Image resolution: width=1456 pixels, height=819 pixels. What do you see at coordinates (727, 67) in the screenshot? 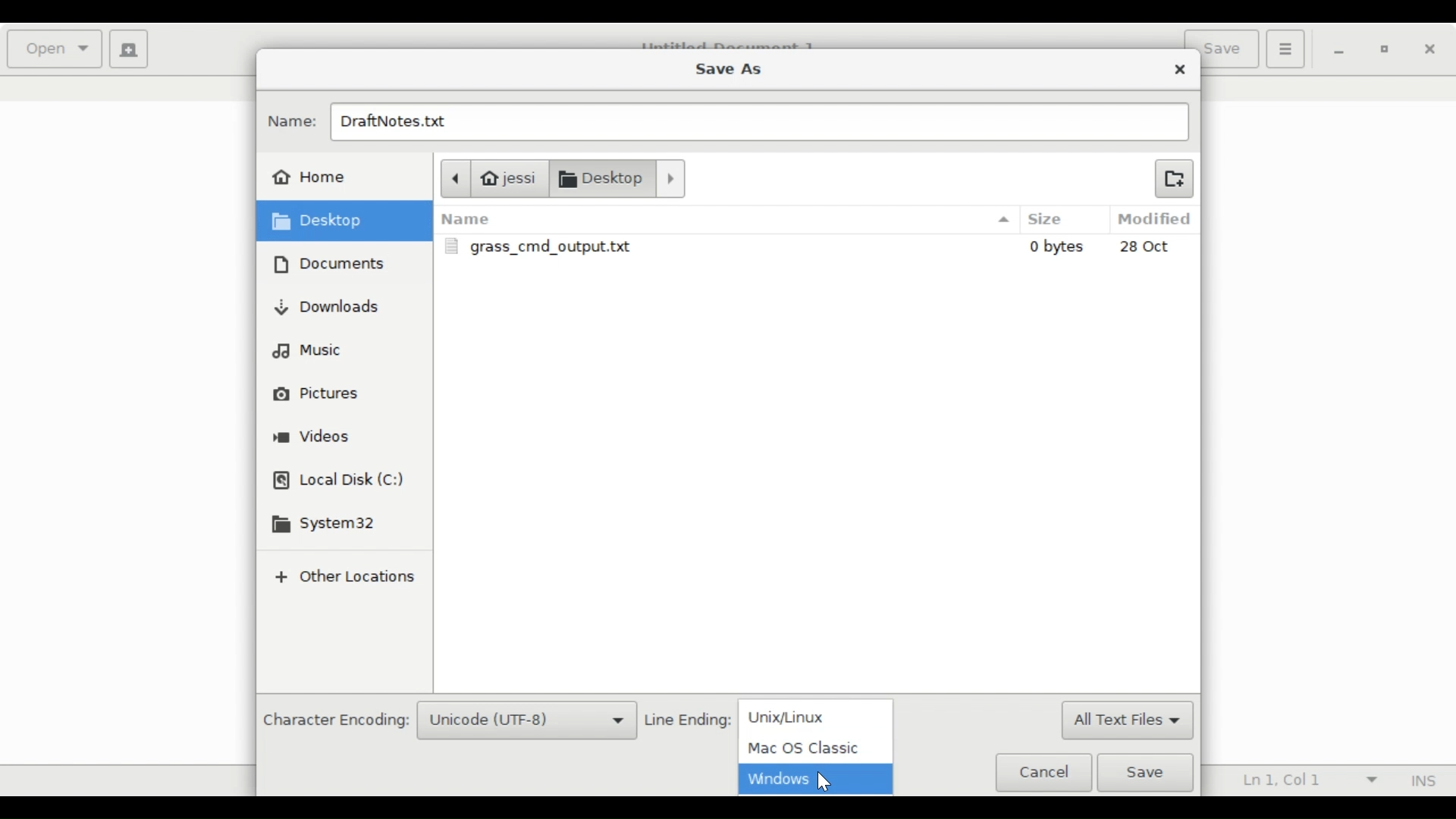
I see `Save As` at bounding box center [727, 67].